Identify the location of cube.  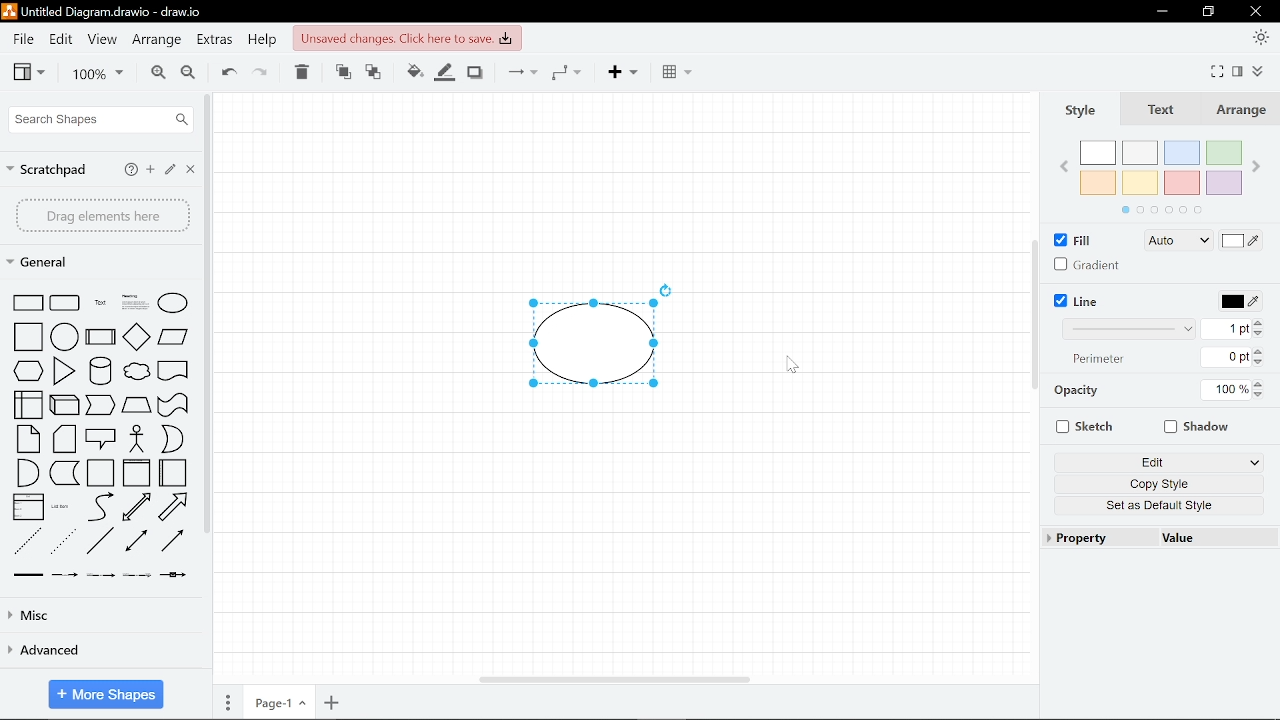
(66, 406).